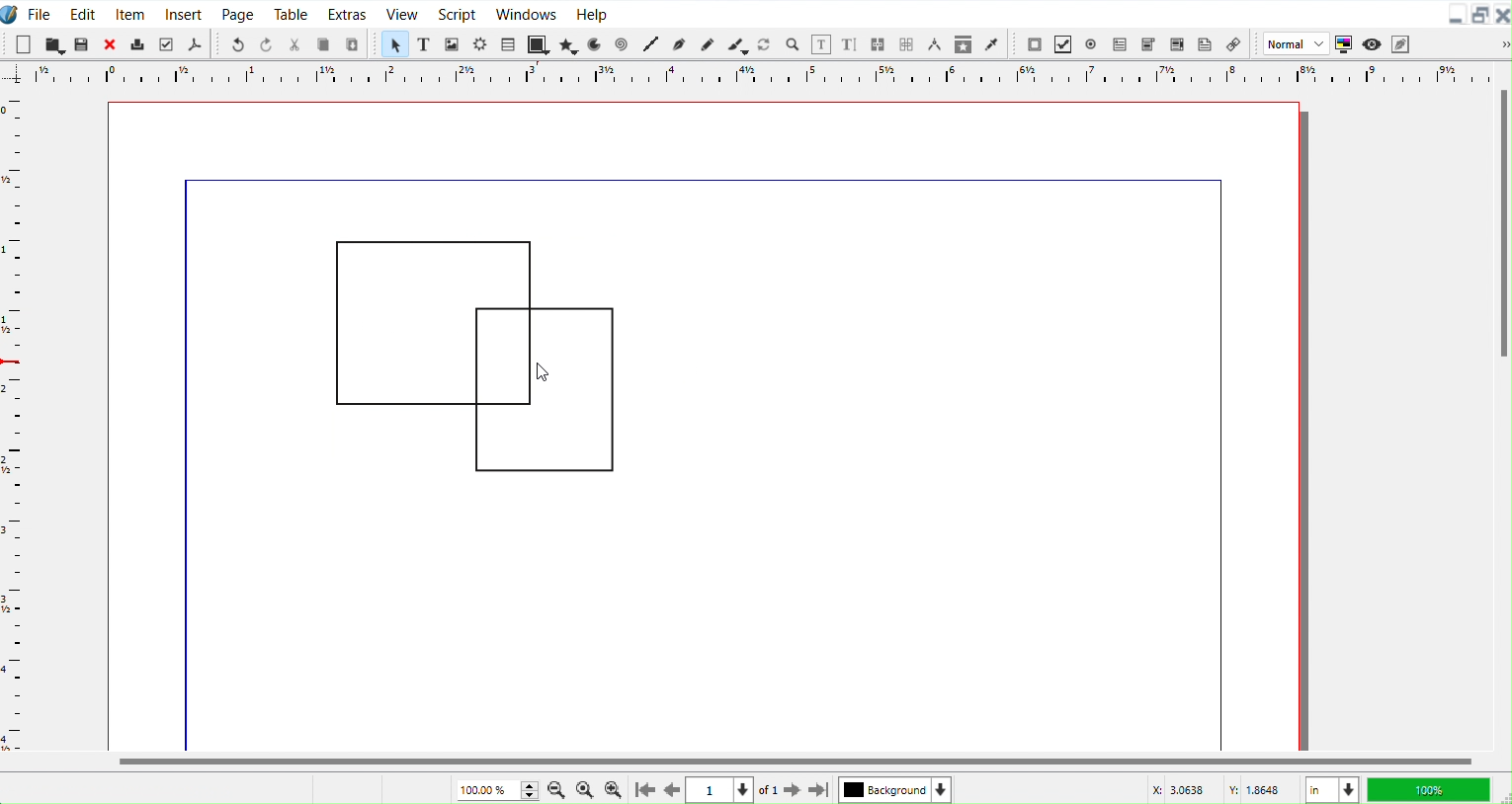 This screenshot has width=1512, height=804. What do you see at coordinates (82, 12) in the screenshot?
I see `Edit` at bounding box center [82, 12].